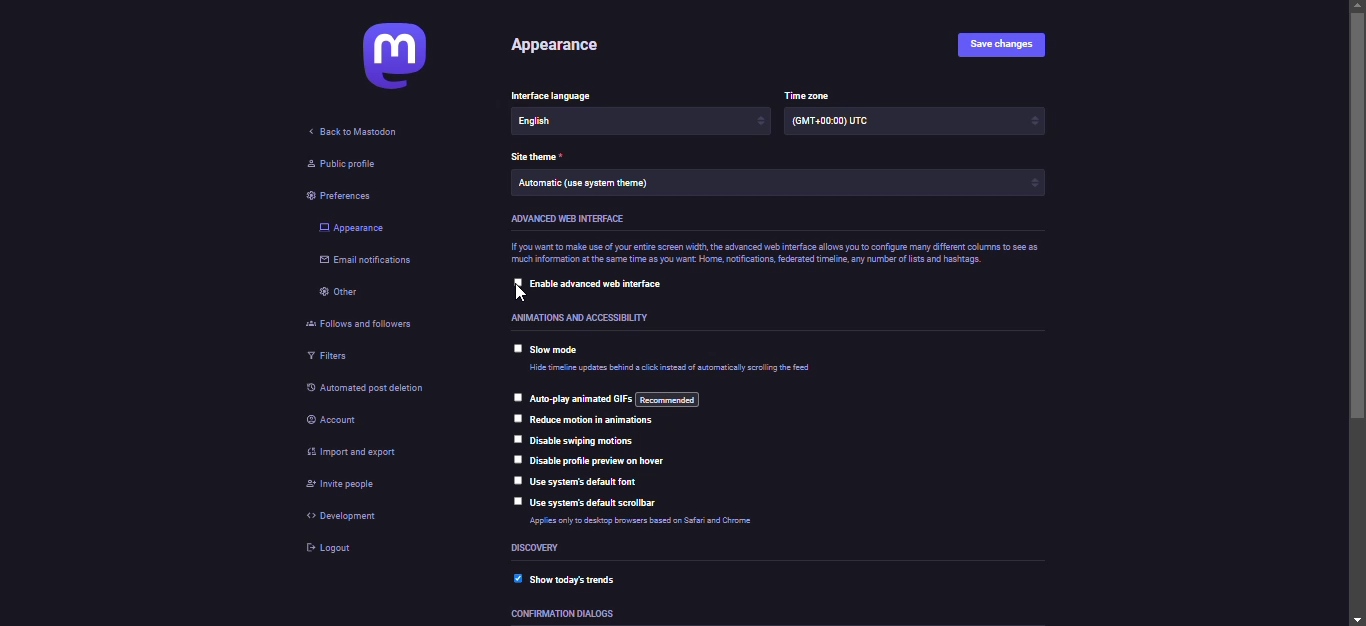 This screenshot has height=626, width=1366. Describe the element at coordinates (372, 388) in the screenshot. I see `automated post deletion` at that location.